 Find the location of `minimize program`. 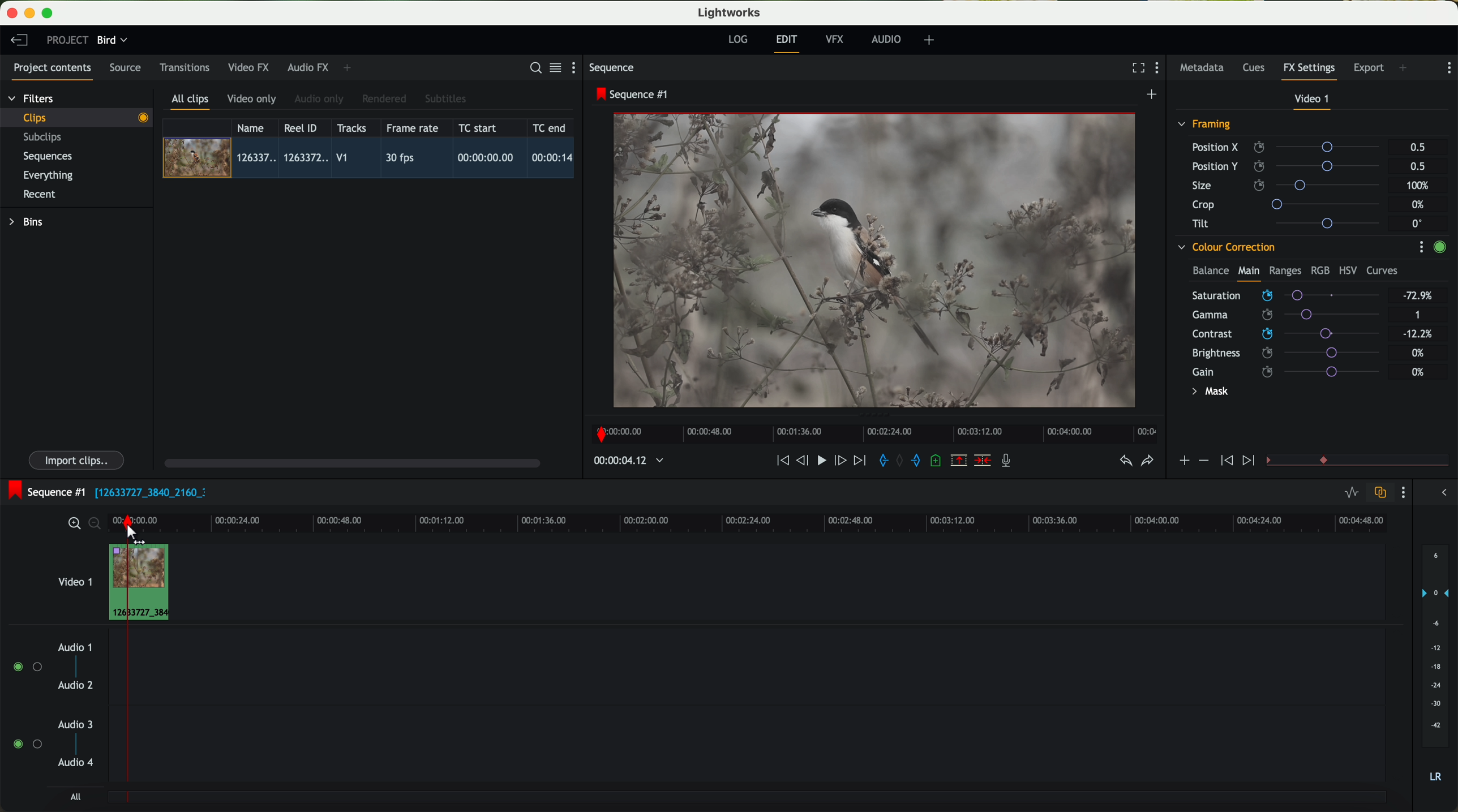

minimize program is located at coordinates (32, 14).